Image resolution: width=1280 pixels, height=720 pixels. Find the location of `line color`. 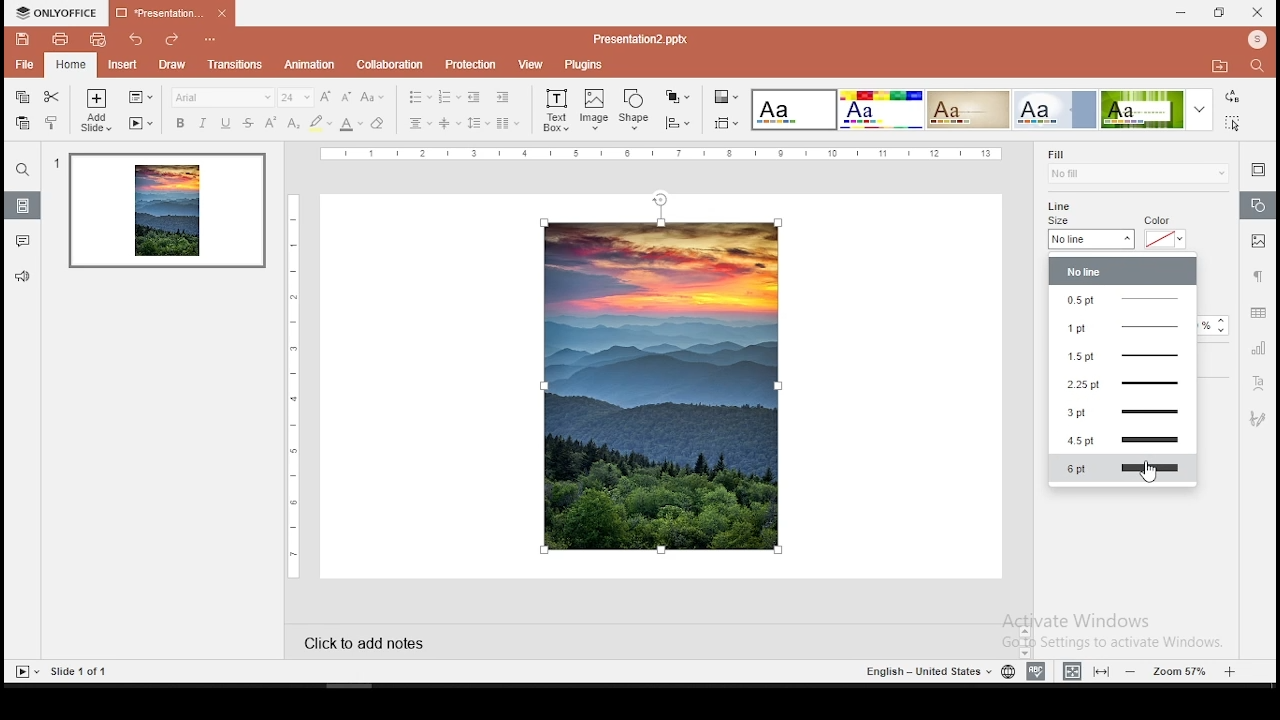

line color is located at coordinates (1166, 232).